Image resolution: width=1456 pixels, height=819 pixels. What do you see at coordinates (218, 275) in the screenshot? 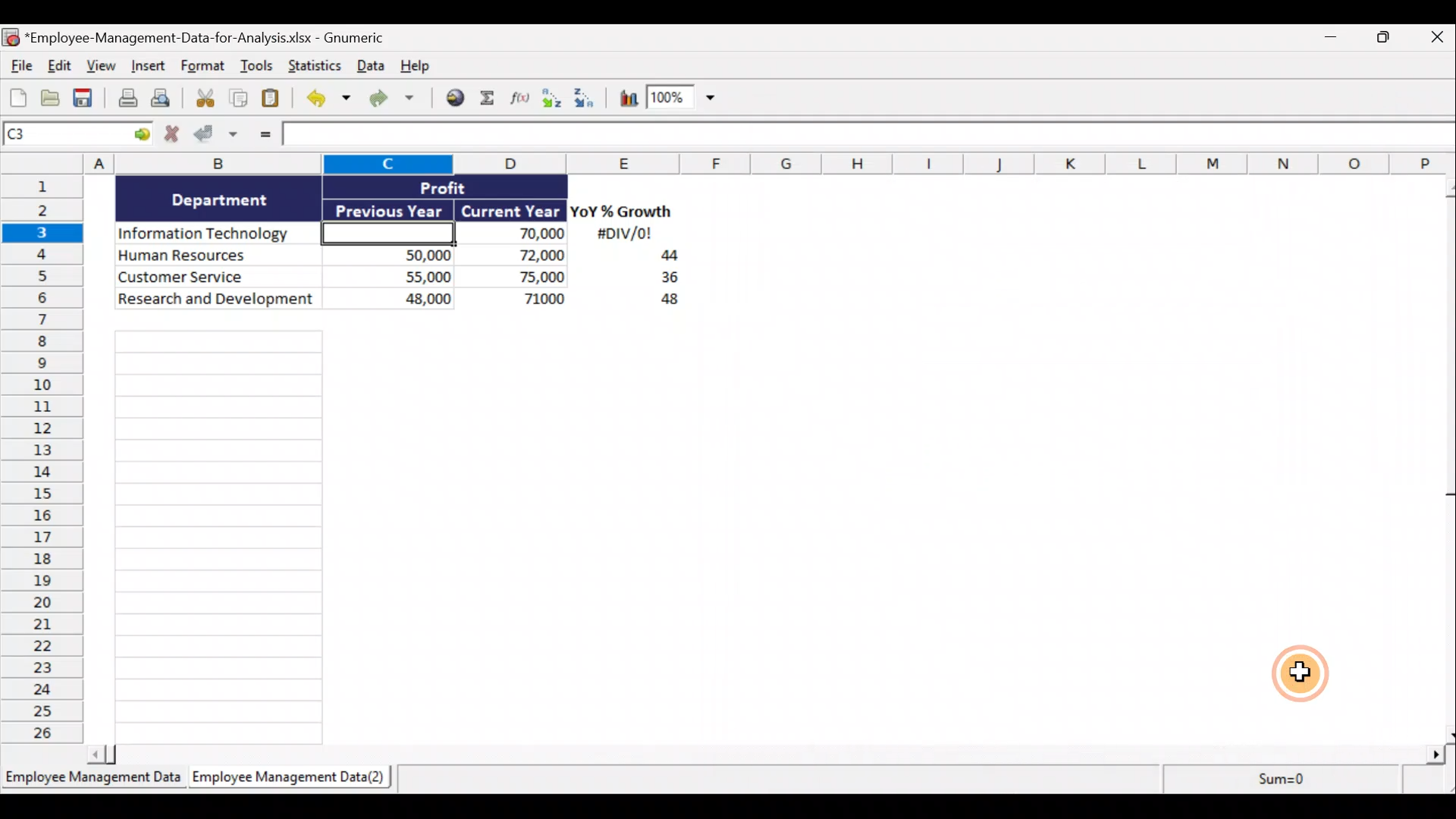
I see `Customer Service` at bounding box center [218, 275].